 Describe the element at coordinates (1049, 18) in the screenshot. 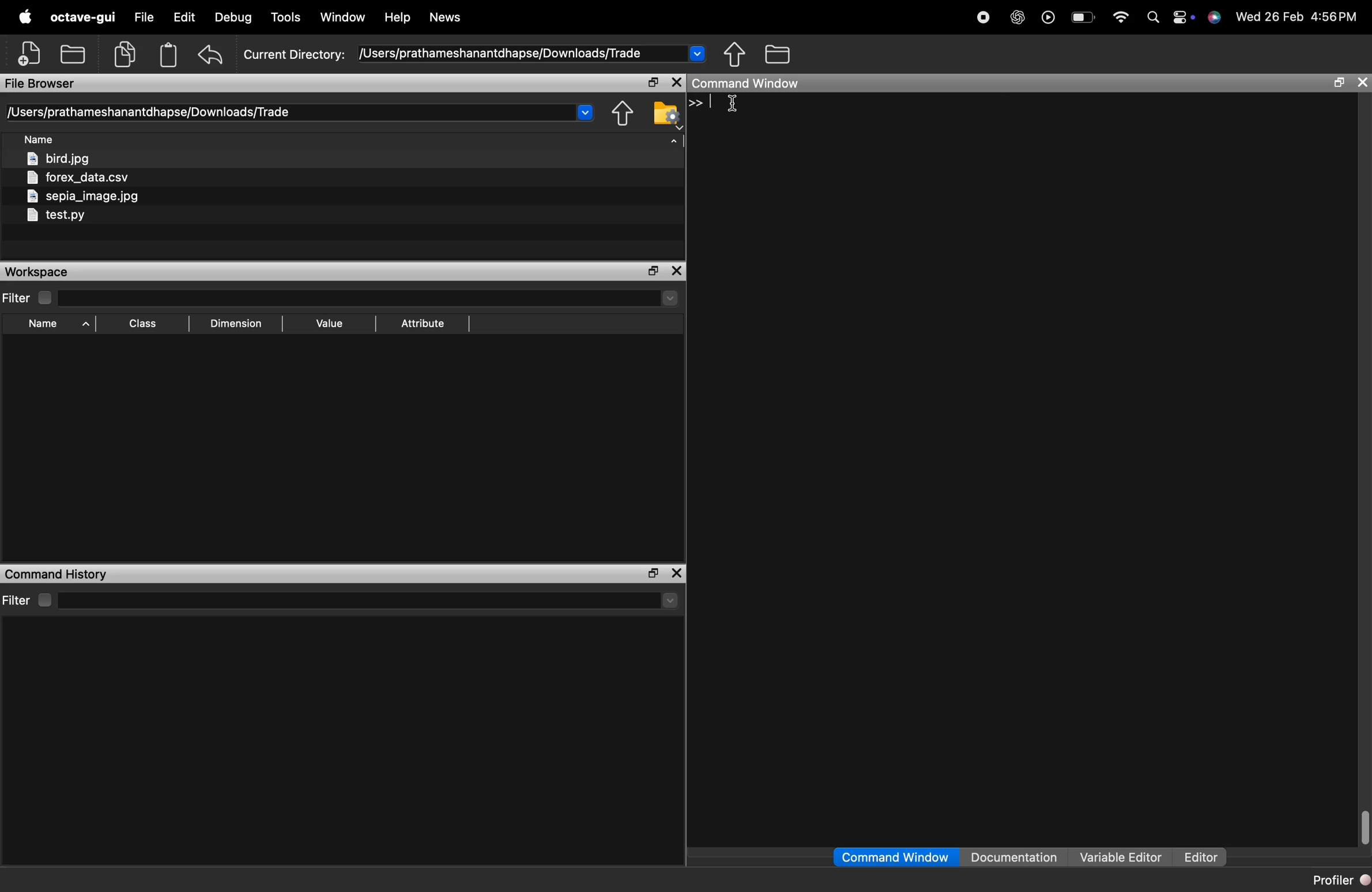

I see `play` at that location.